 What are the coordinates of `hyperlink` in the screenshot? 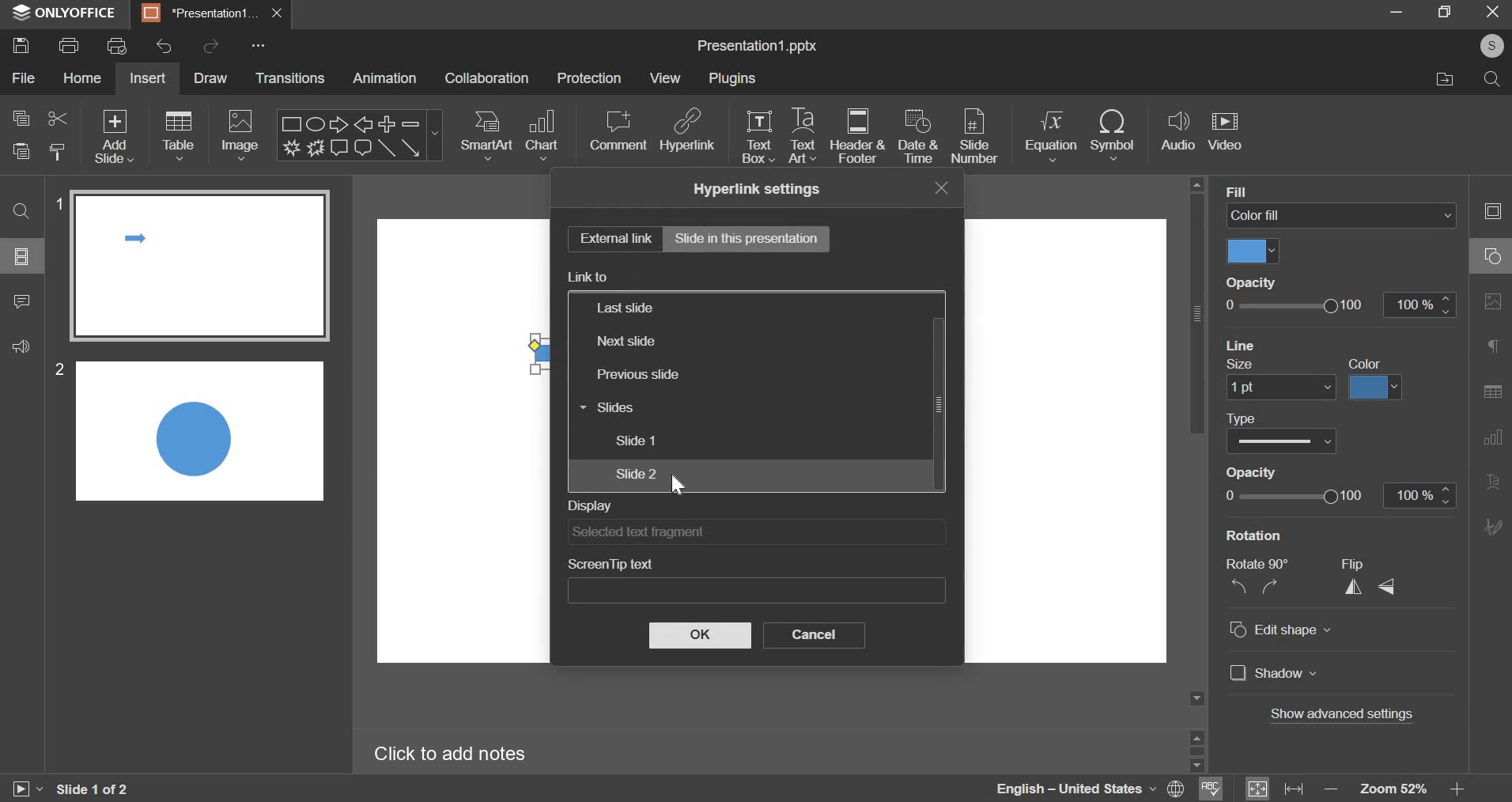 It's located at (687, 132).